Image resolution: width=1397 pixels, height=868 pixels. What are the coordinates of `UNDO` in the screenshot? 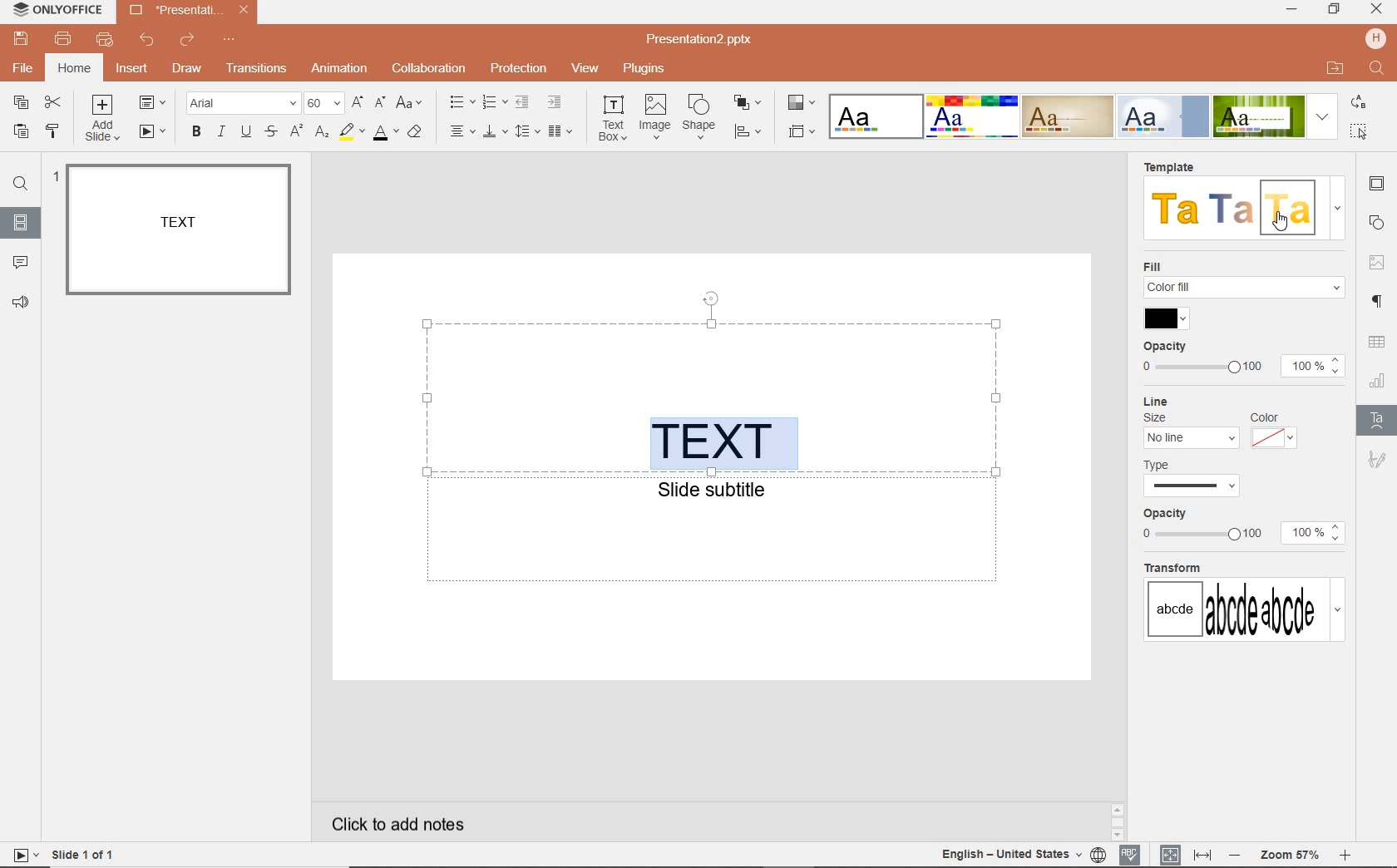 It's located at (147, 39).